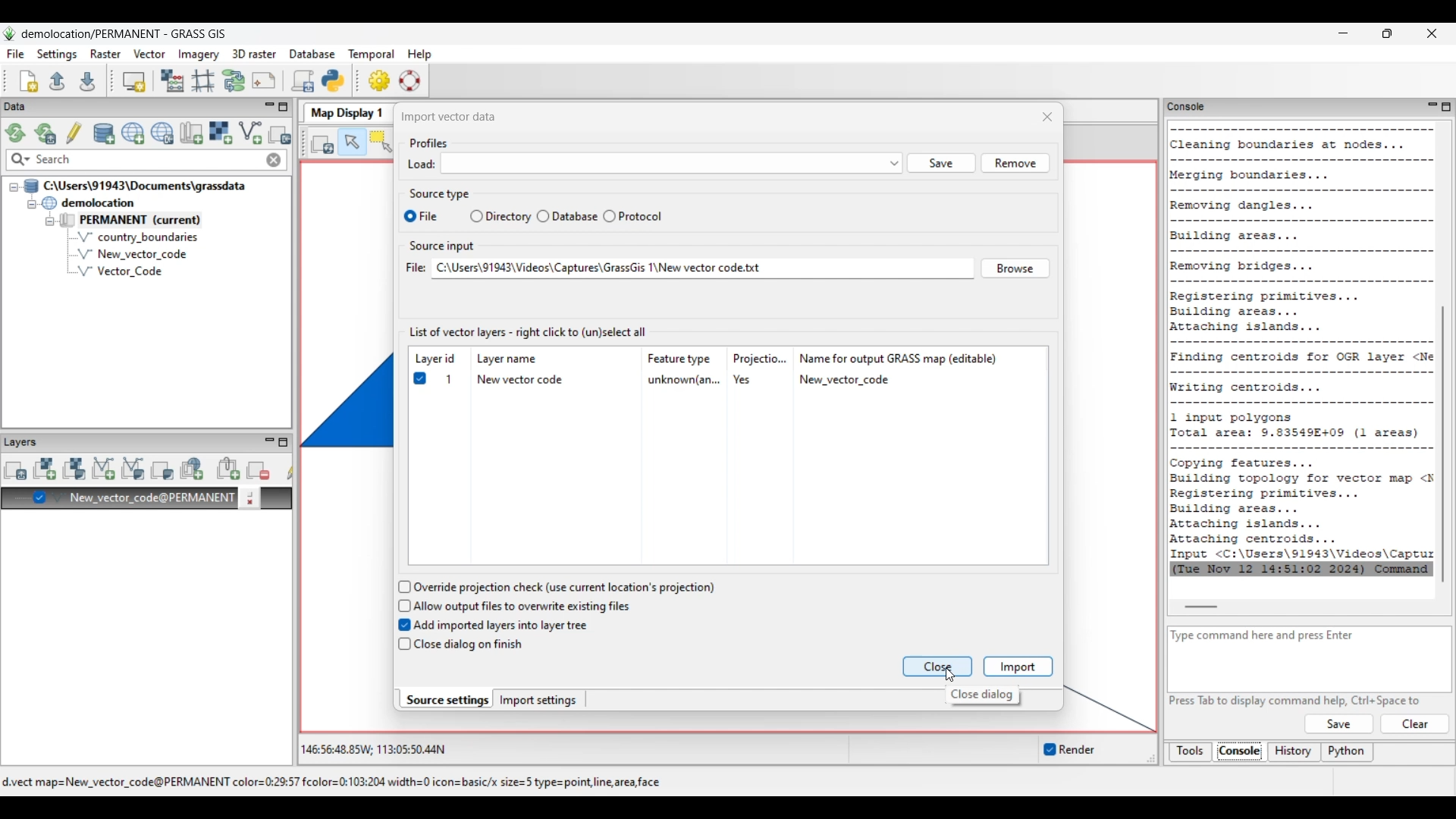  Describe the element at coordinates (133, 469) in the screenshot. I see `Add various vector map layers` at that location.